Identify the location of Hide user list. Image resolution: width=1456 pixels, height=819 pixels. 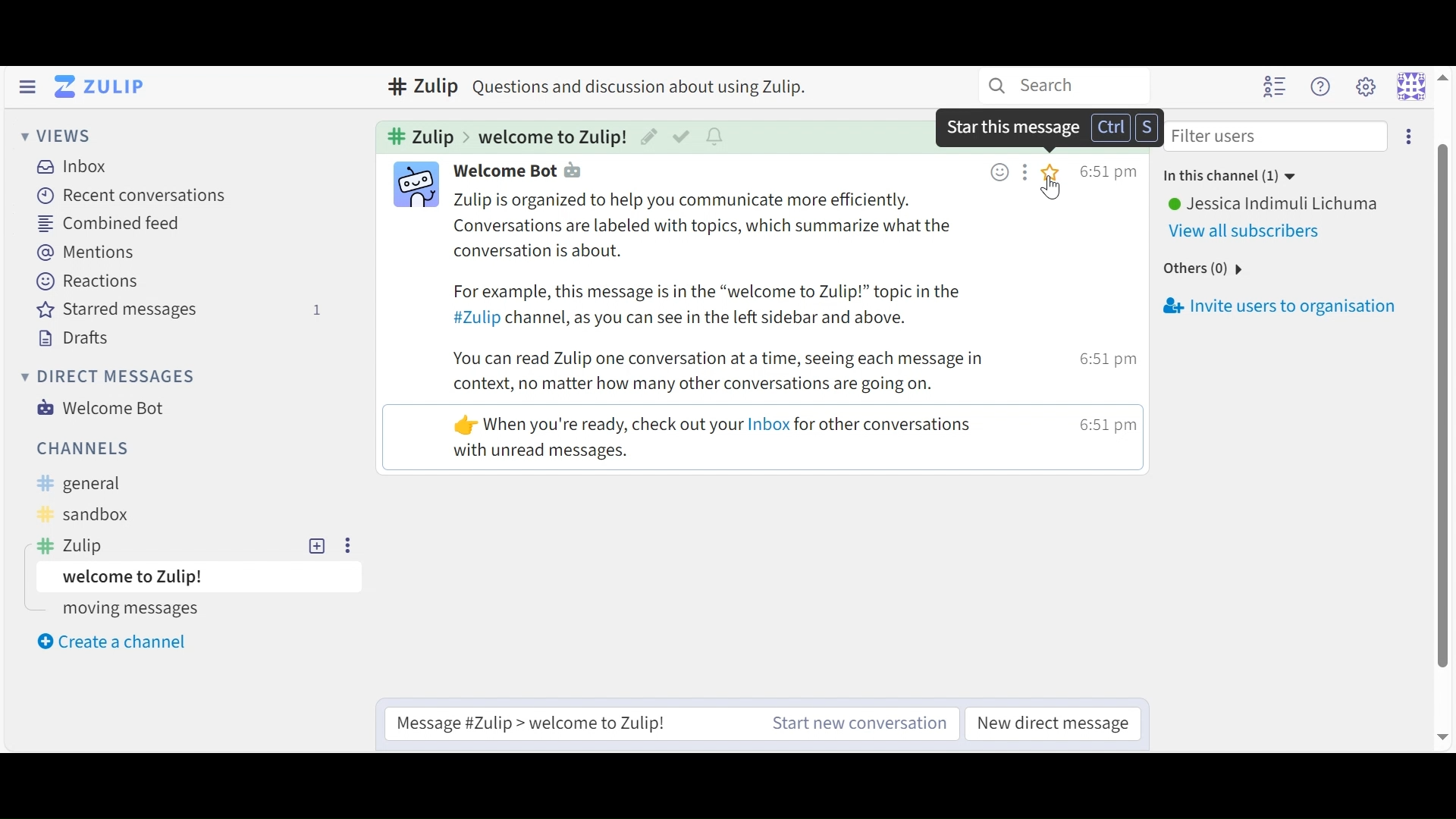
(1276, 84).